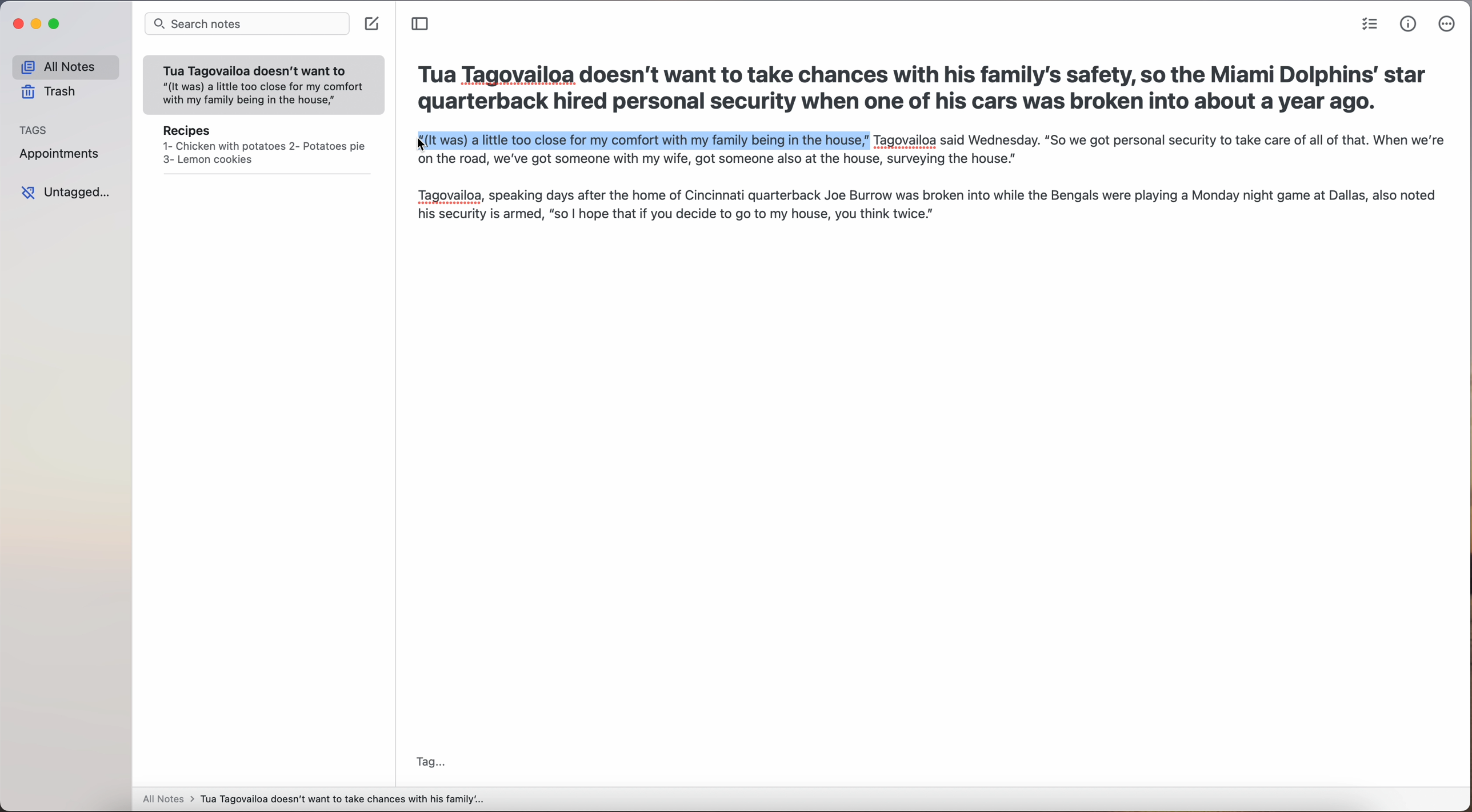 This screenshot has width=1472, height=812. Describe the element at coordinates (38, 24) in the screenshot. I see `minimize Simplenote` at that location.